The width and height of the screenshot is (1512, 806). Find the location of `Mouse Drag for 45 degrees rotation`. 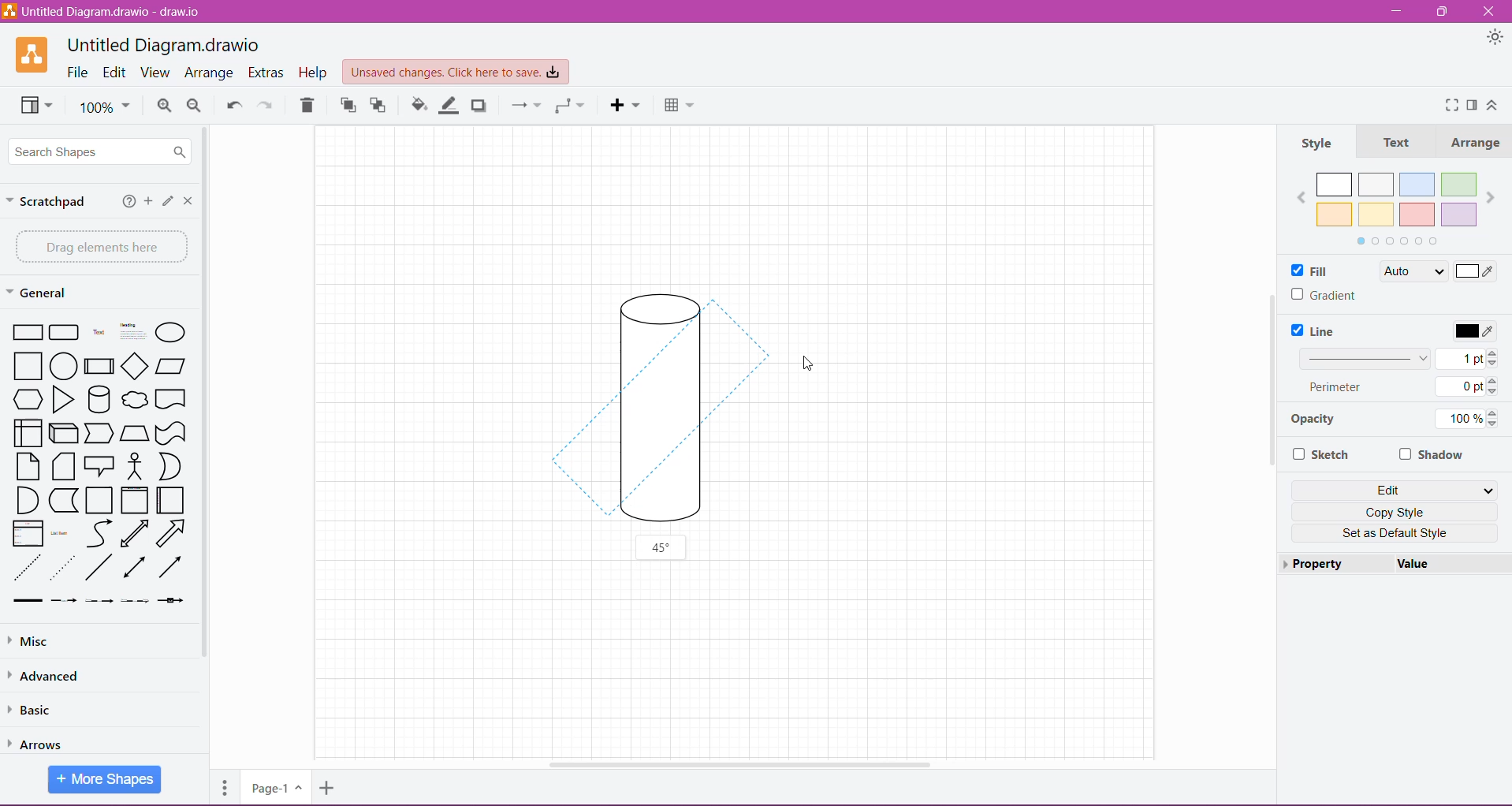

Mouse Drag for 45 degrees rotation is located at coordinates (654, 412).